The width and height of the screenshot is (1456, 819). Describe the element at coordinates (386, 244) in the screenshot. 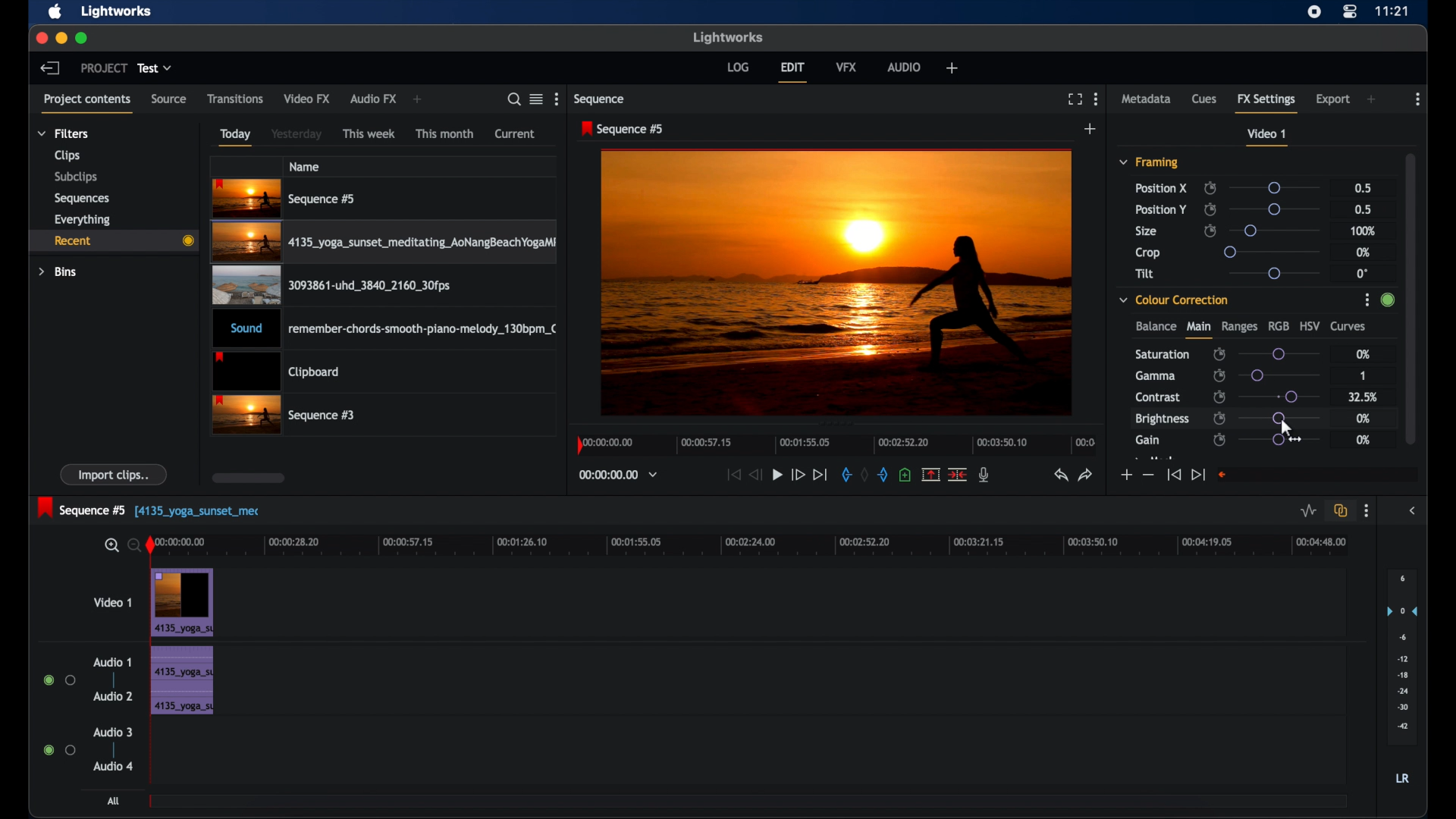

I see `video clip` at that location.